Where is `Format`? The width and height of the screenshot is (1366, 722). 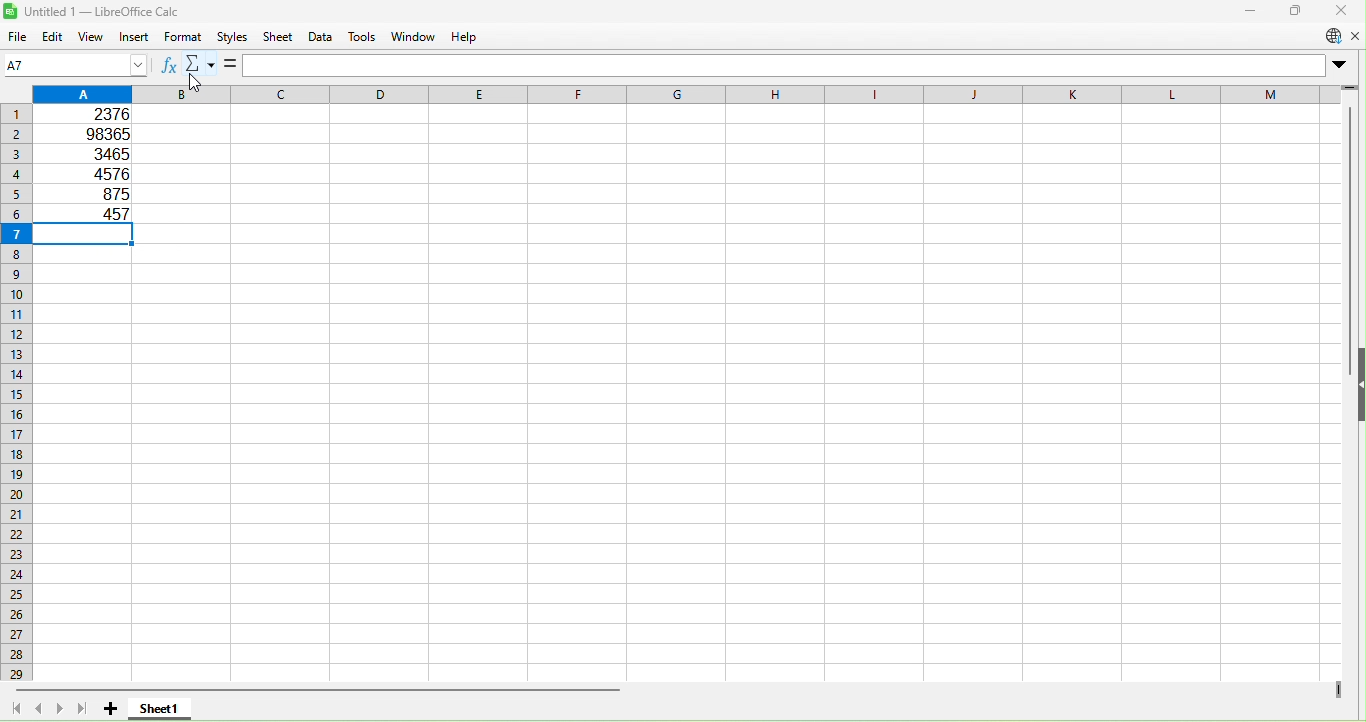 Format is located at coordinates (183, 37).